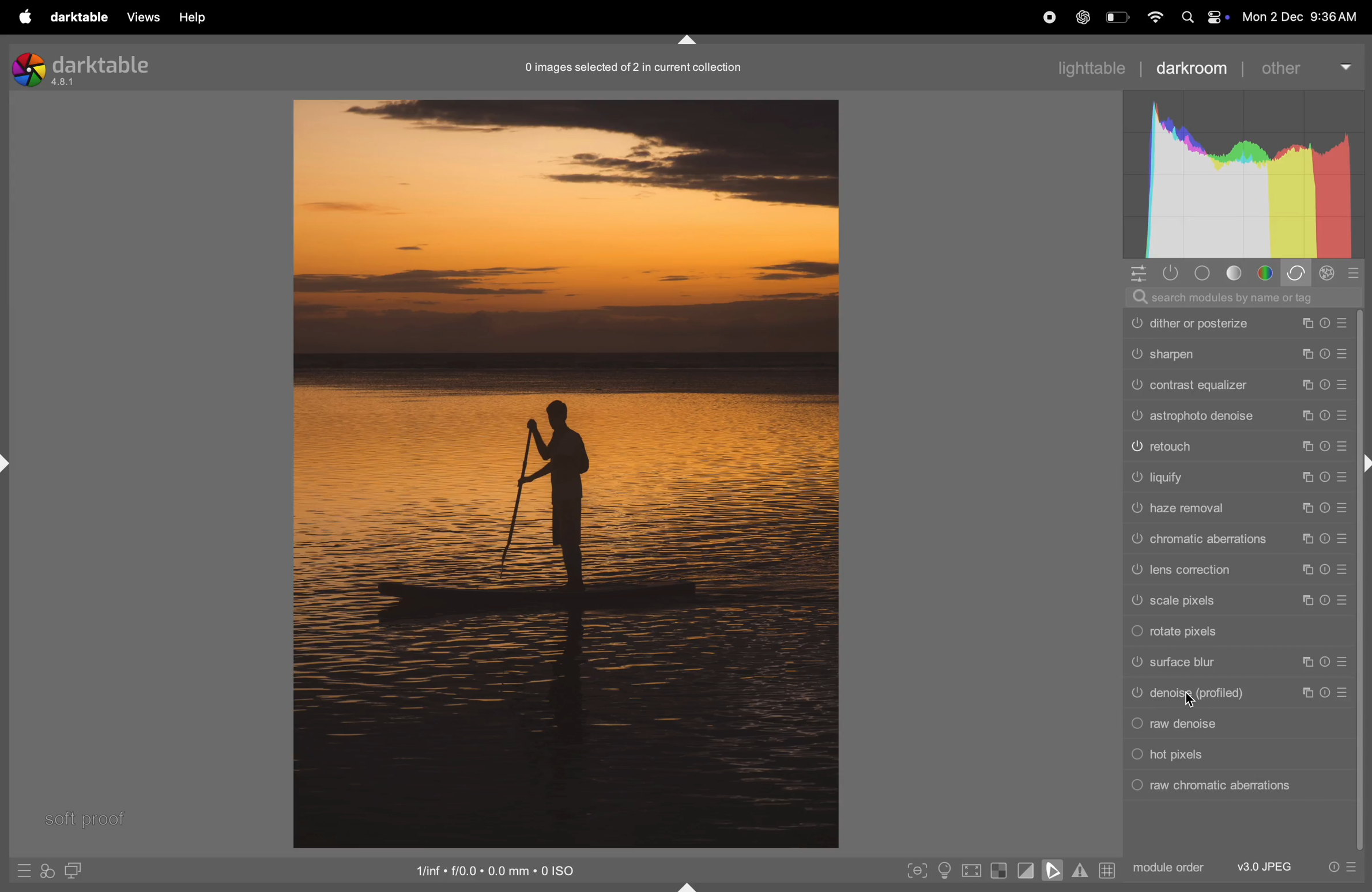  Describe the element at coordinates (1342, 868) in the screenshot. I see `presets` at that location.